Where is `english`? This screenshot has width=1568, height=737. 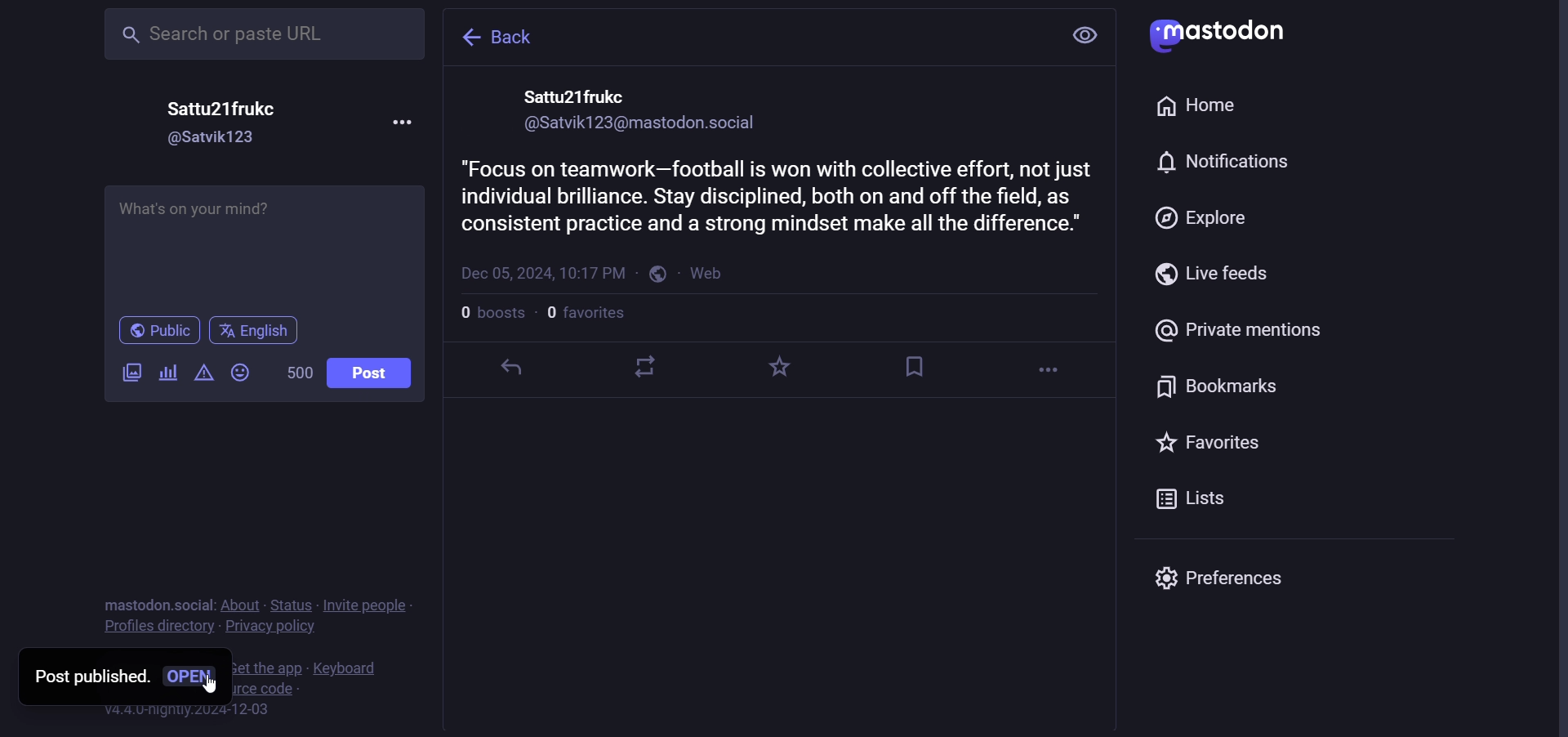
english is located at coordinates (257, 333).